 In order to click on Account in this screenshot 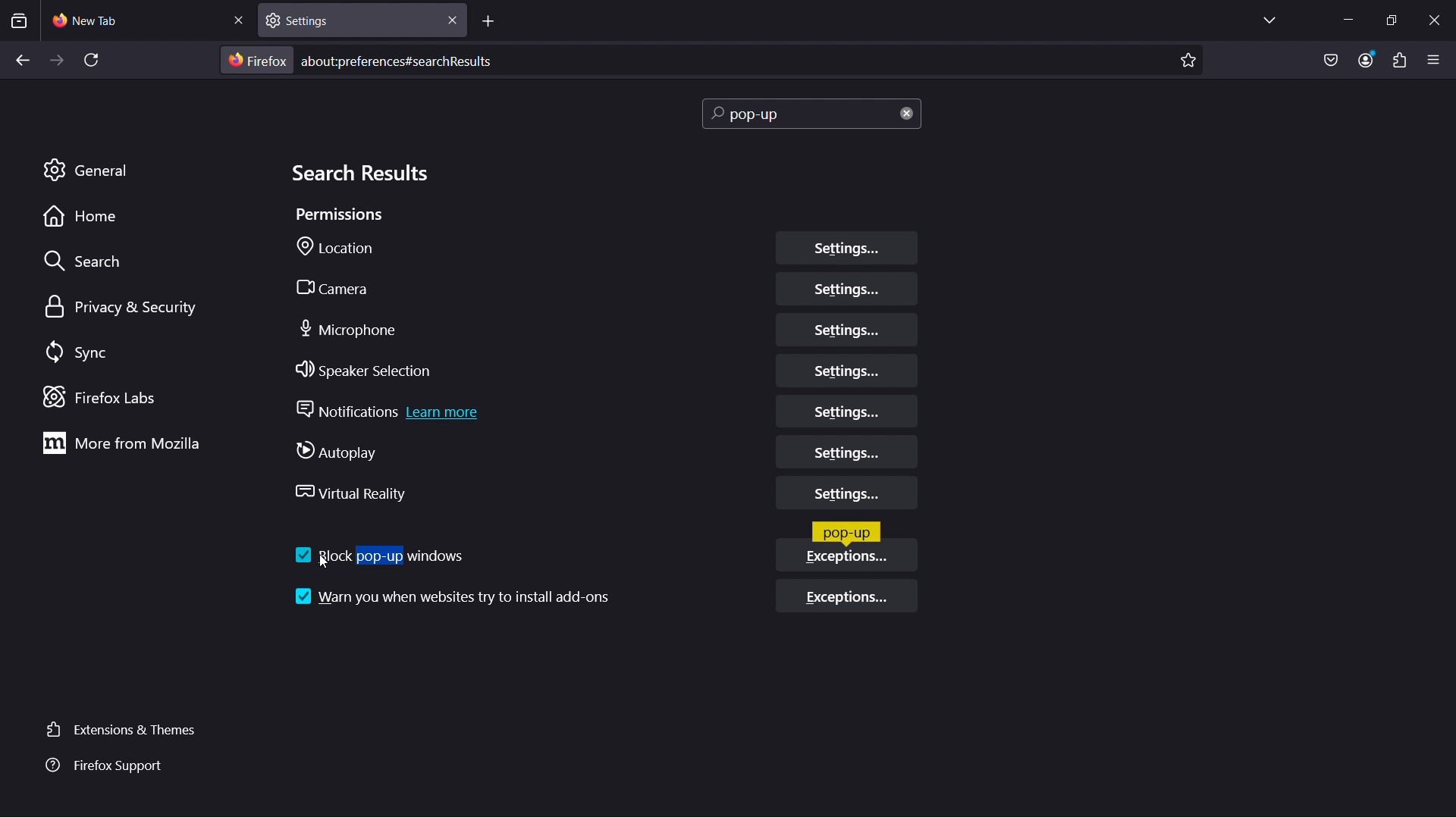, I will do `click(1369, 60)`.